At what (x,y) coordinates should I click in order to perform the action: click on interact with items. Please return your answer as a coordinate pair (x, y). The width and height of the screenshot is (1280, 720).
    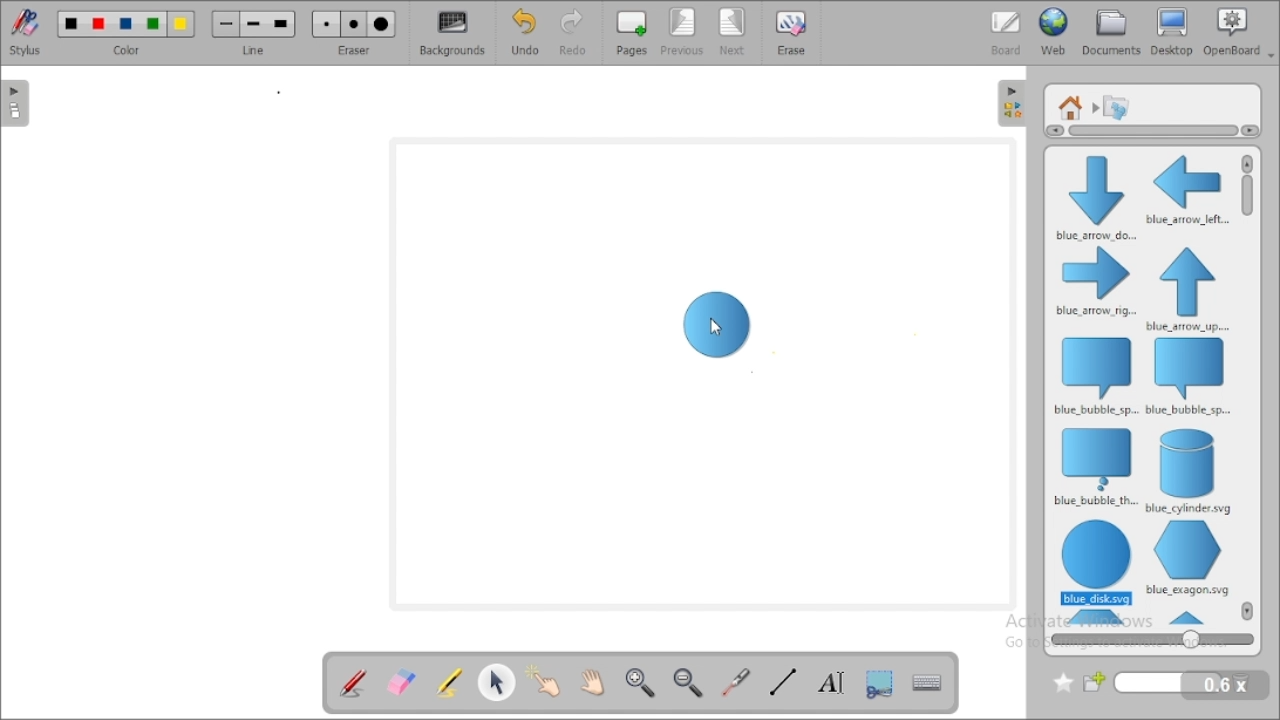
    Looking at the image, I should click on (547, 679).